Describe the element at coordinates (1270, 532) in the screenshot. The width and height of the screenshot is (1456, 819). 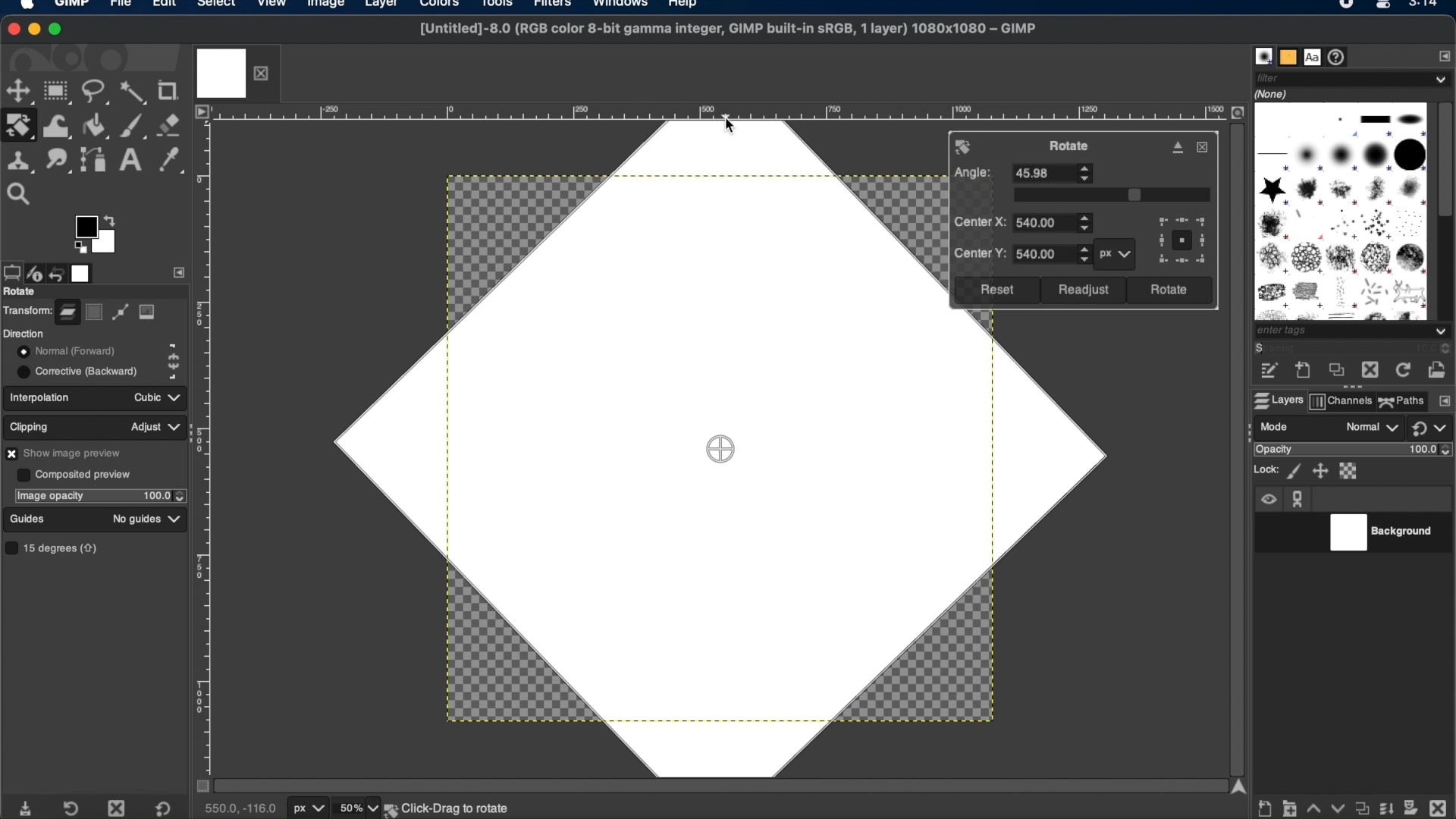
I see `visibility toggle` at that location.